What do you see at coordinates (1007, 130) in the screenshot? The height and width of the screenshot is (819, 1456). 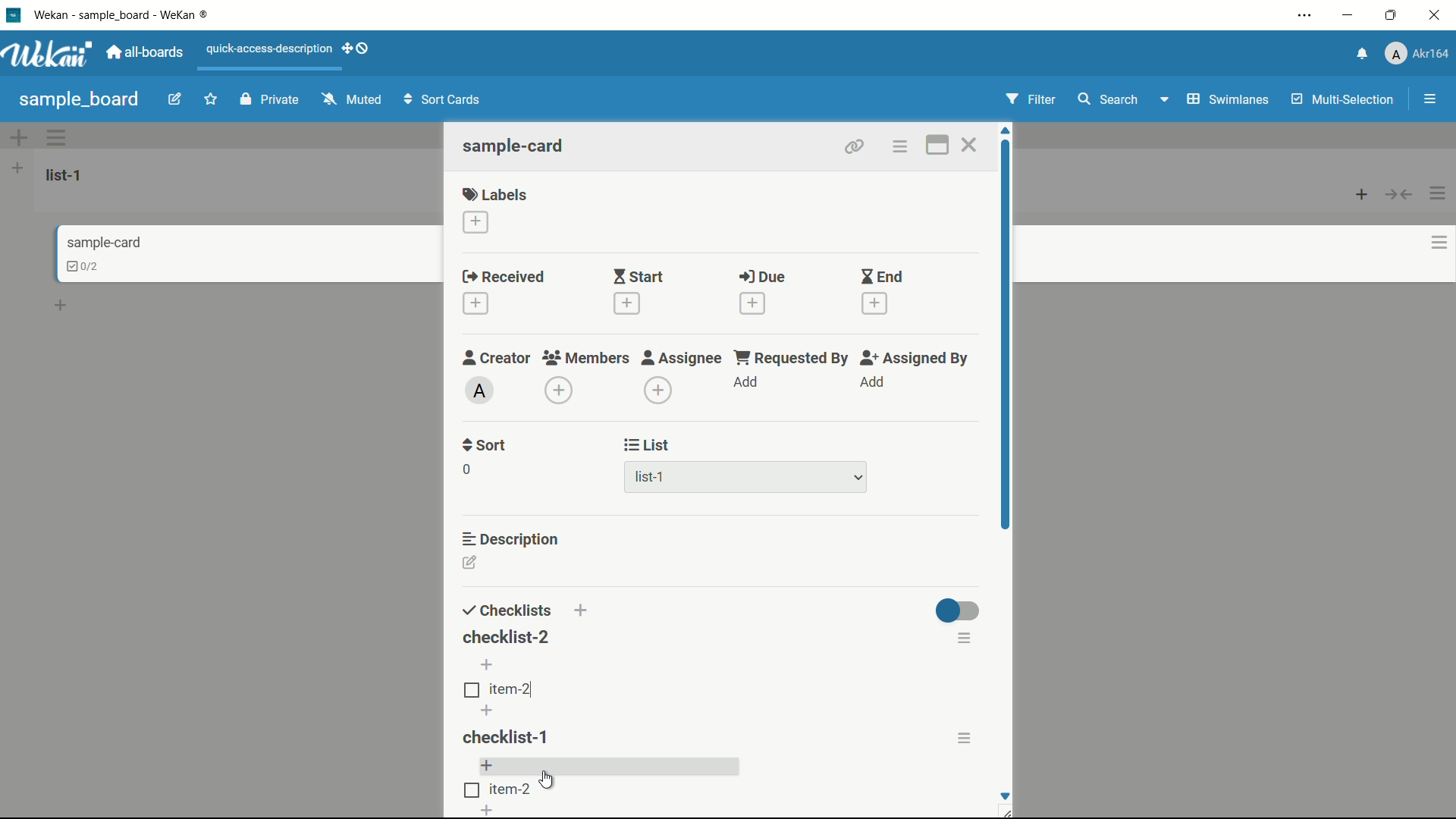 I see `scroll up` at bounding box center [1007, 130].